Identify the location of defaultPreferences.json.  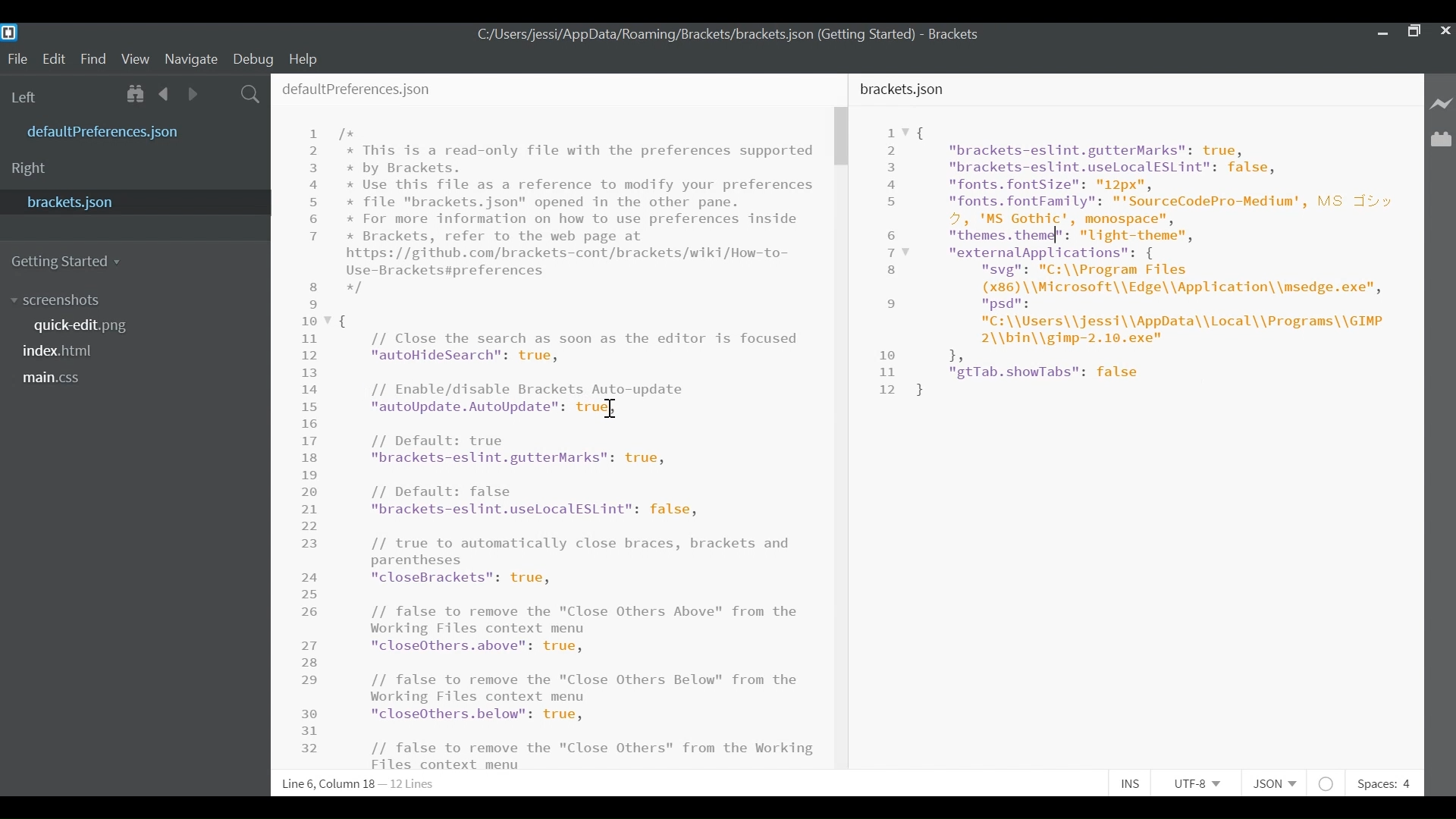
(124, 131).